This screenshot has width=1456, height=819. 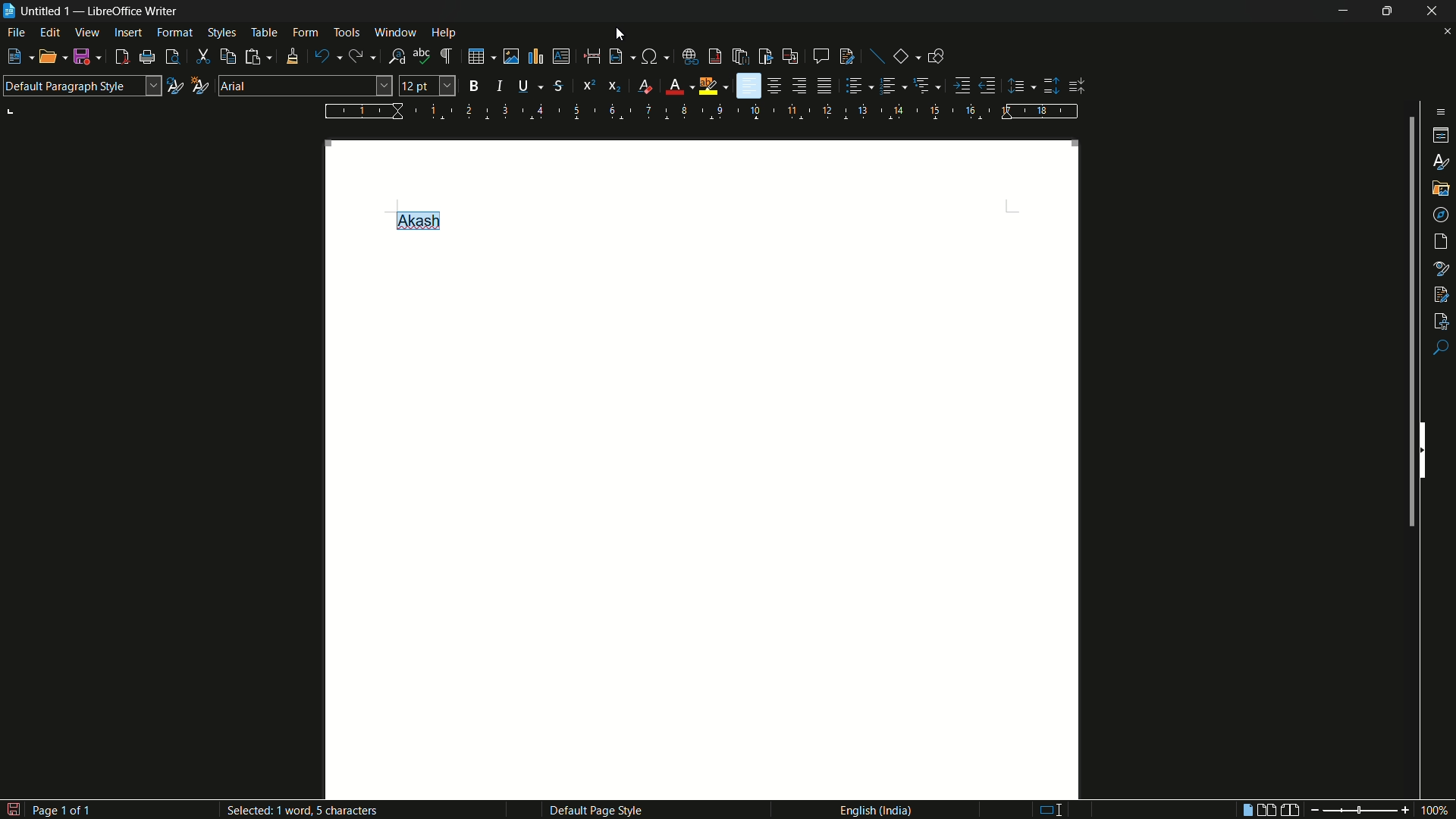 I want to click on find, so click(x=1441, y=349).